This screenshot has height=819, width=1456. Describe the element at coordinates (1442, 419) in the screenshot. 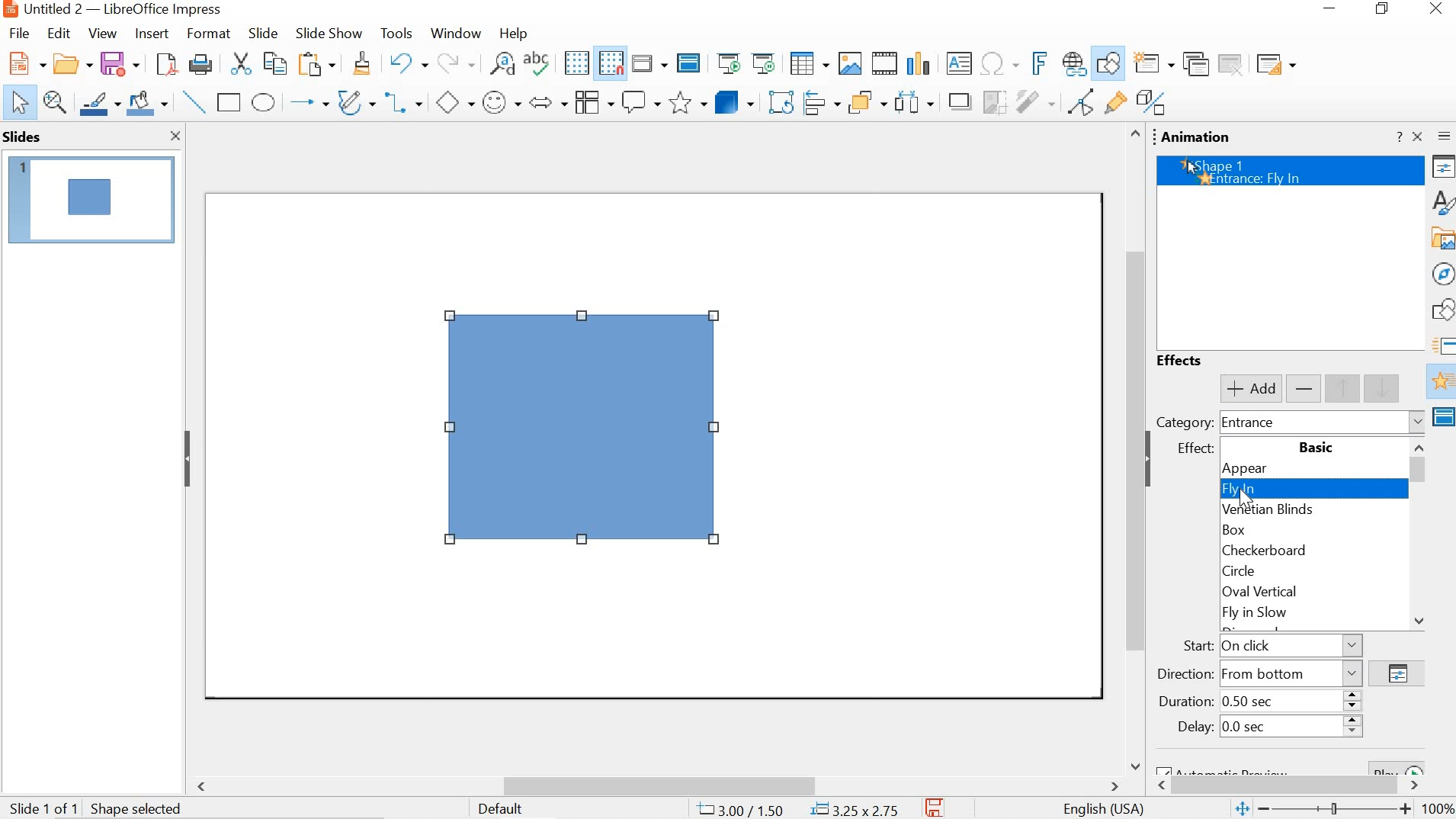

I see `master slide` at that location.